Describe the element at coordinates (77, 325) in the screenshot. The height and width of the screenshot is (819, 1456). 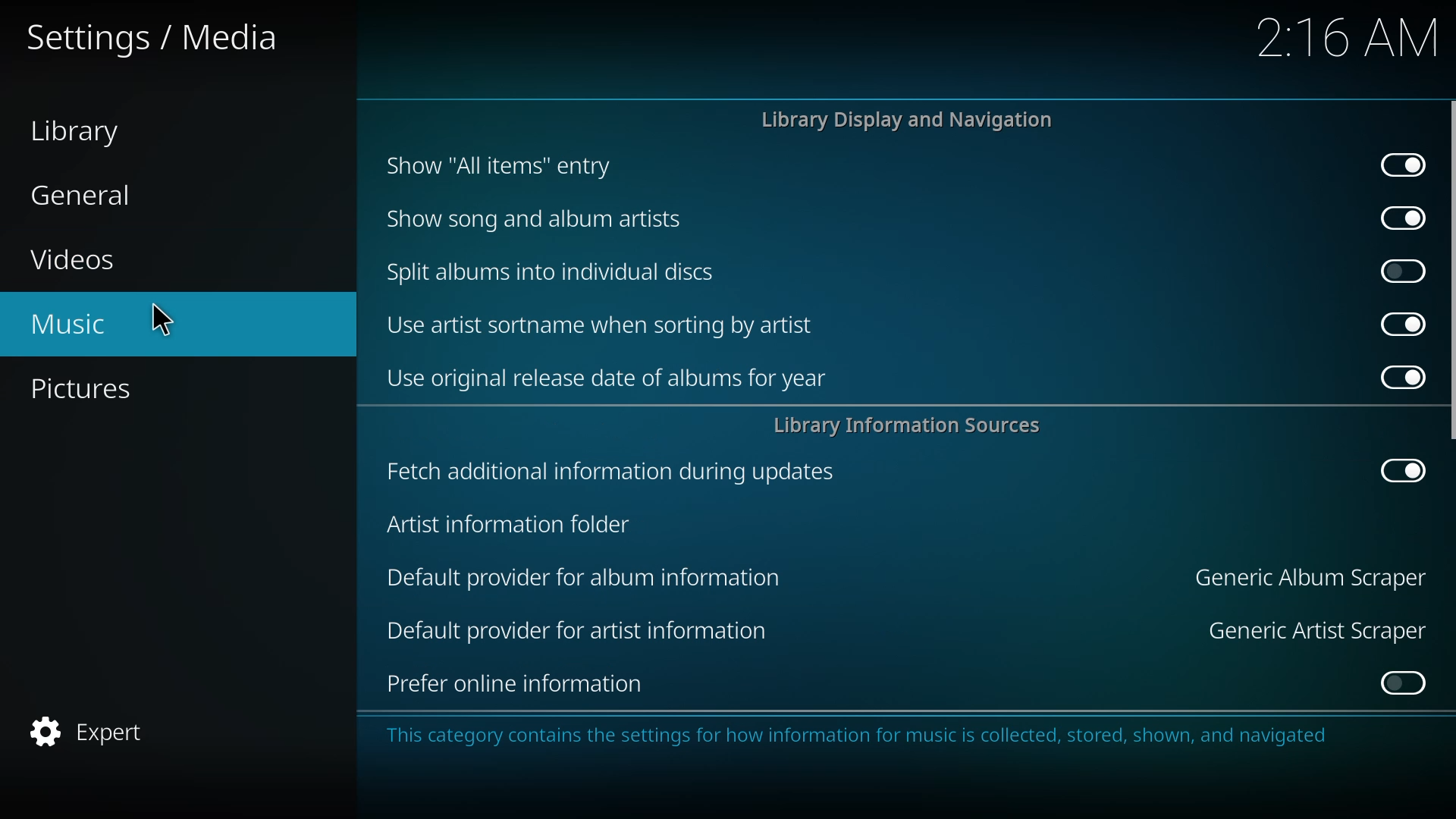
I see `music` at that location.